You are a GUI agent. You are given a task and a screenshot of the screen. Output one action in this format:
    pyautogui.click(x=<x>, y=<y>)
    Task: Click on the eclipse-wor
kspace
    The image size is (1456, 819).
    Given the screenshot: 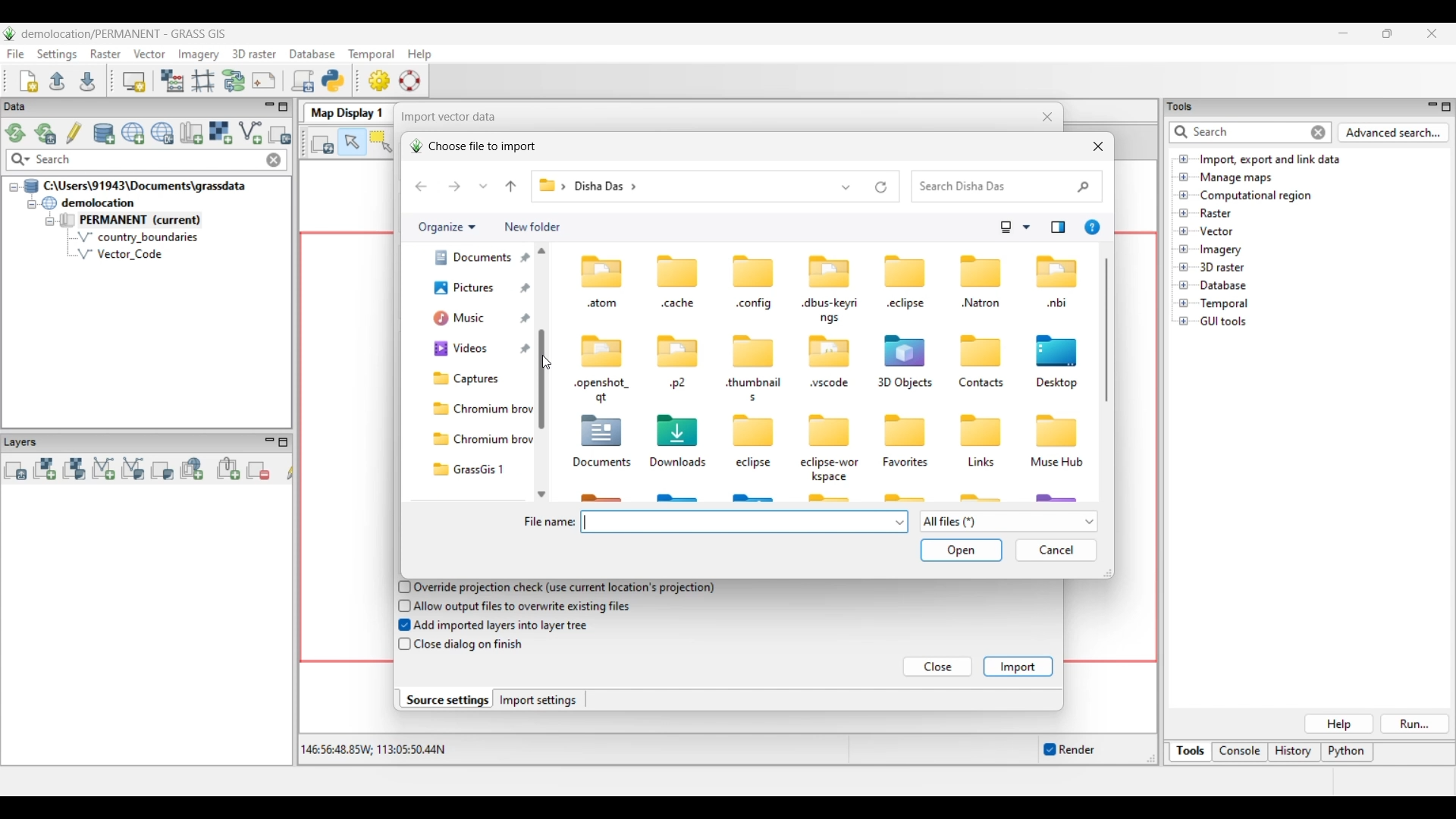 What is the action you would take?
    pyautogui.click(x=831, y=469)
    